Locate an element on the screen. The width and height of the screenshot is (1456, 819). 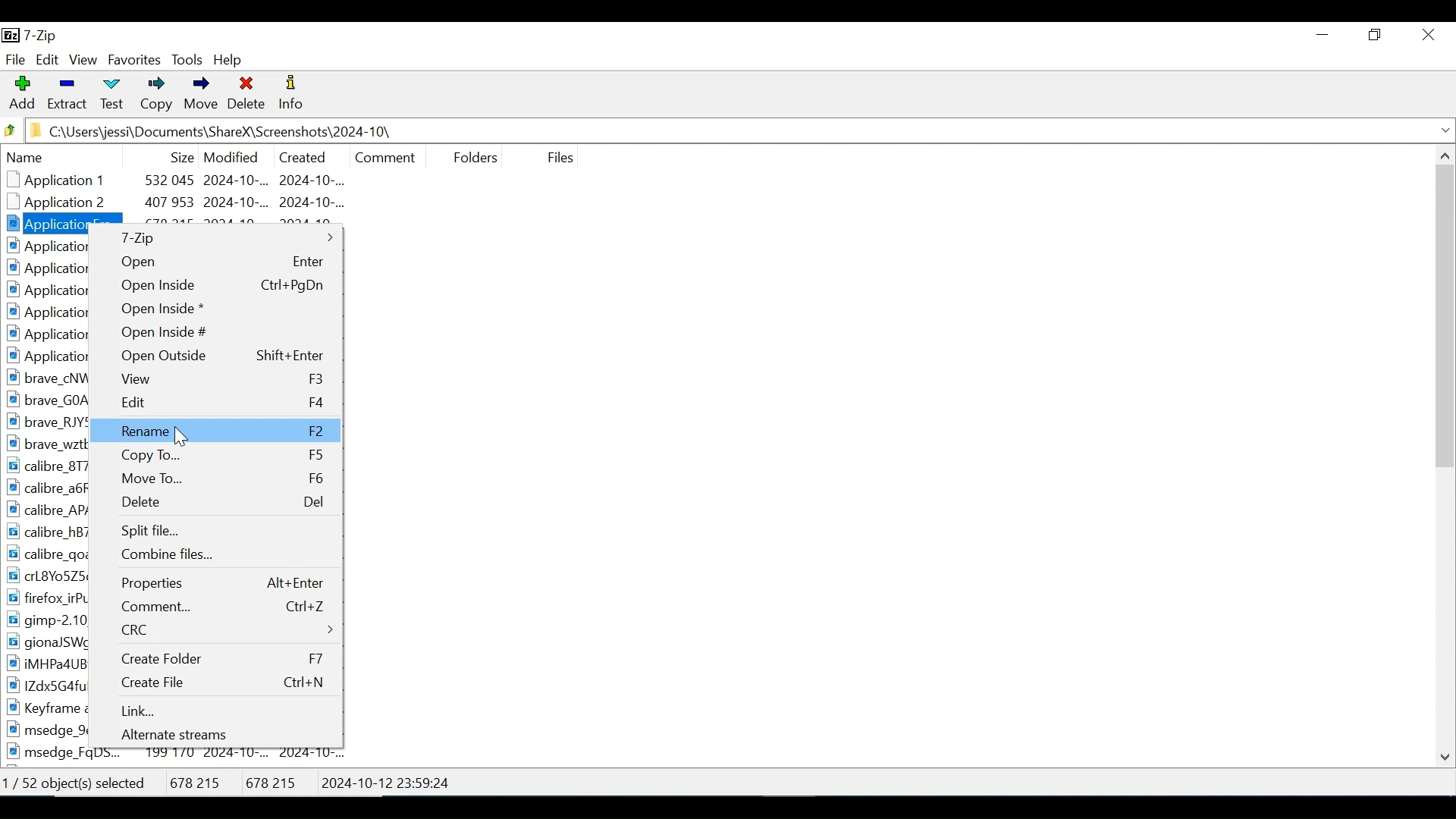
Delete is located at coordinates (216, 500).